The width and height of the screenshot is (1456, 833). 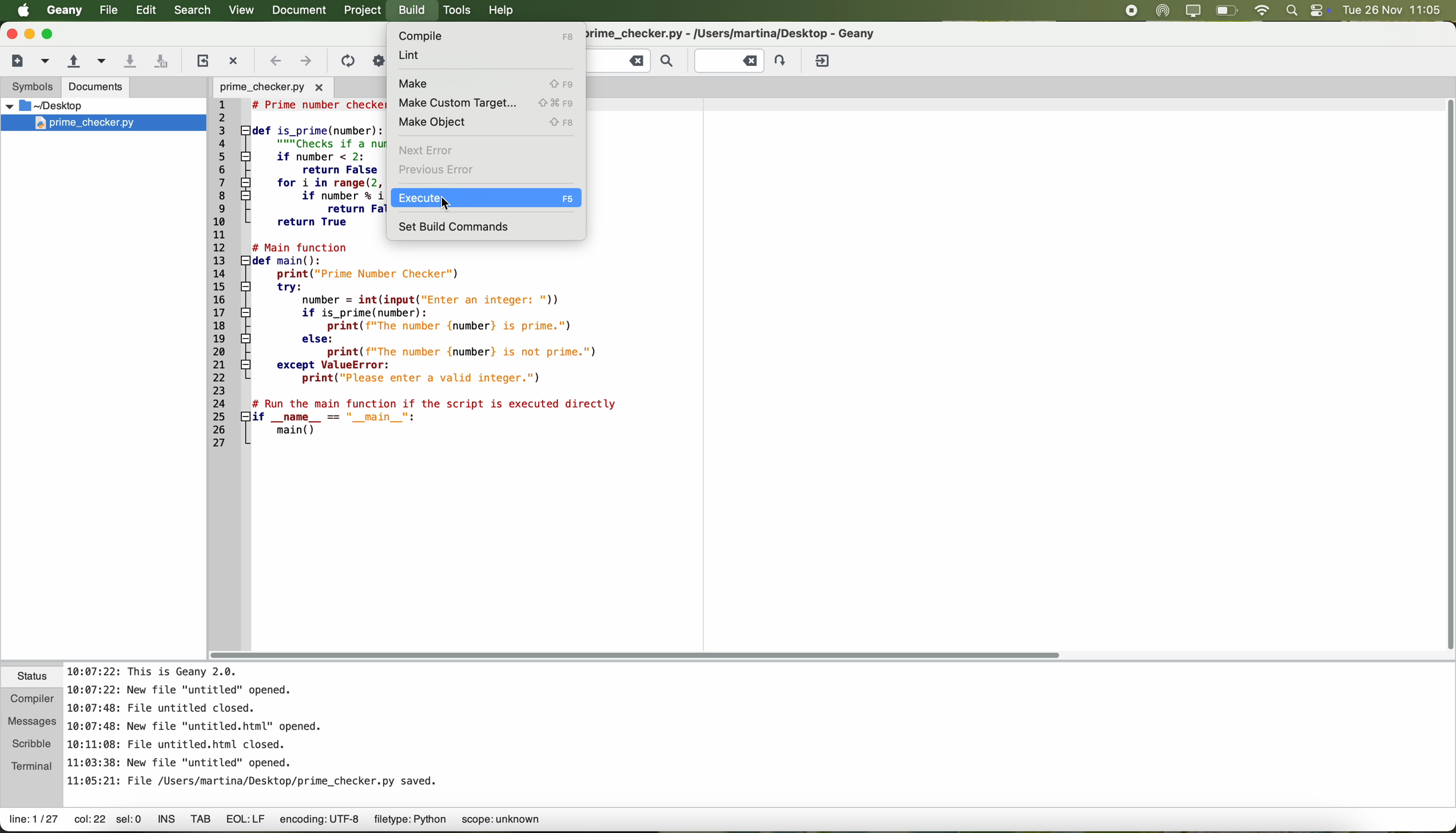 What do you see at coordinates (97, 88) in the screenshot?
I see `documents` at bounding box center [97, 88].